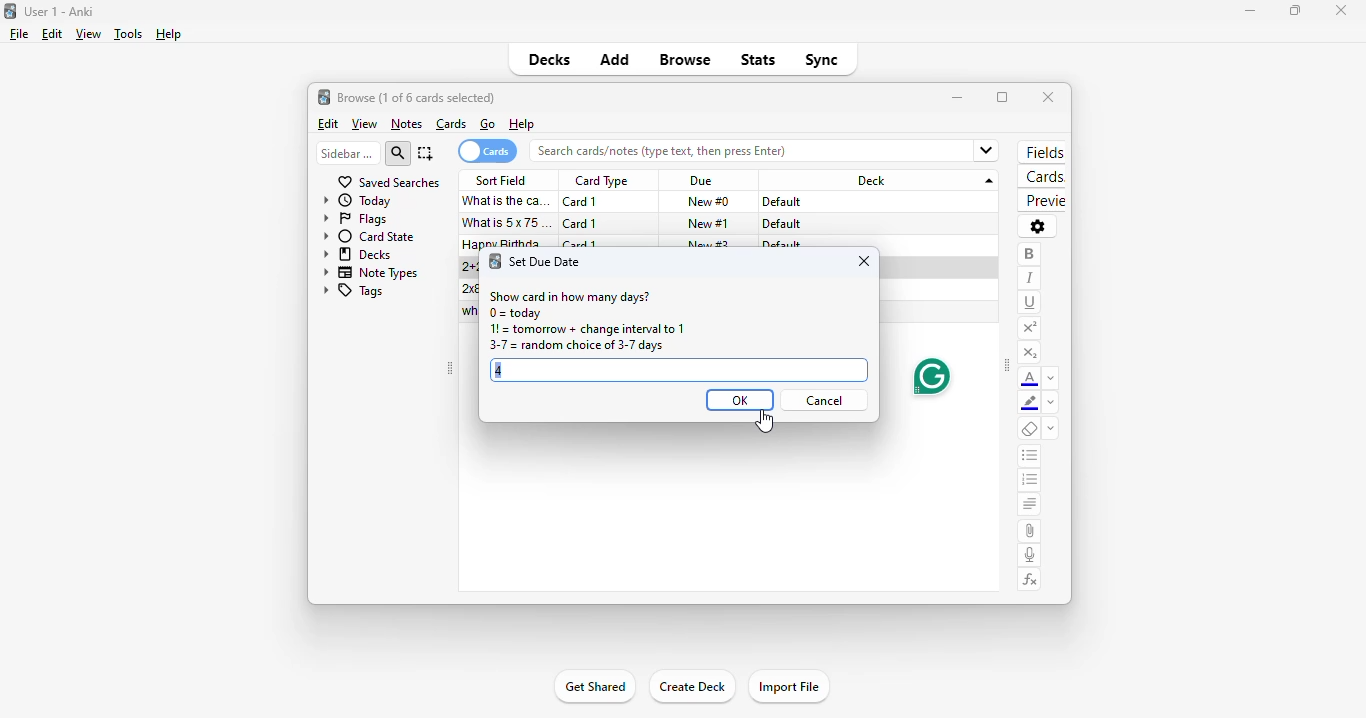 The image size is (1366, 718). What do you see at coordinates (593, 688) in the screenshot?
I see `get shared` at bounding box center [593, 688].